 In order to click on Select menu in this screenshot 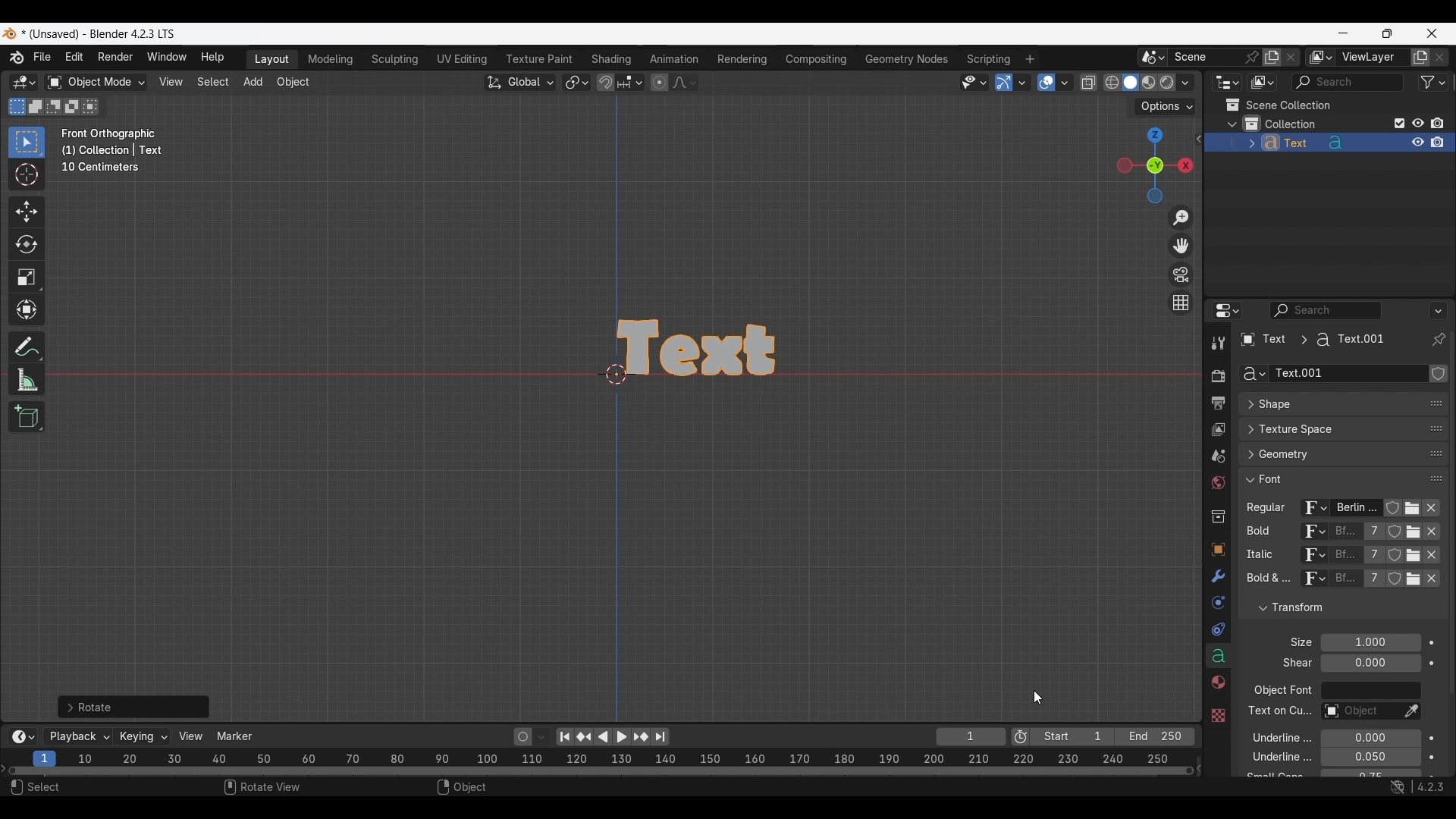, I will do `click(213, 83)`.